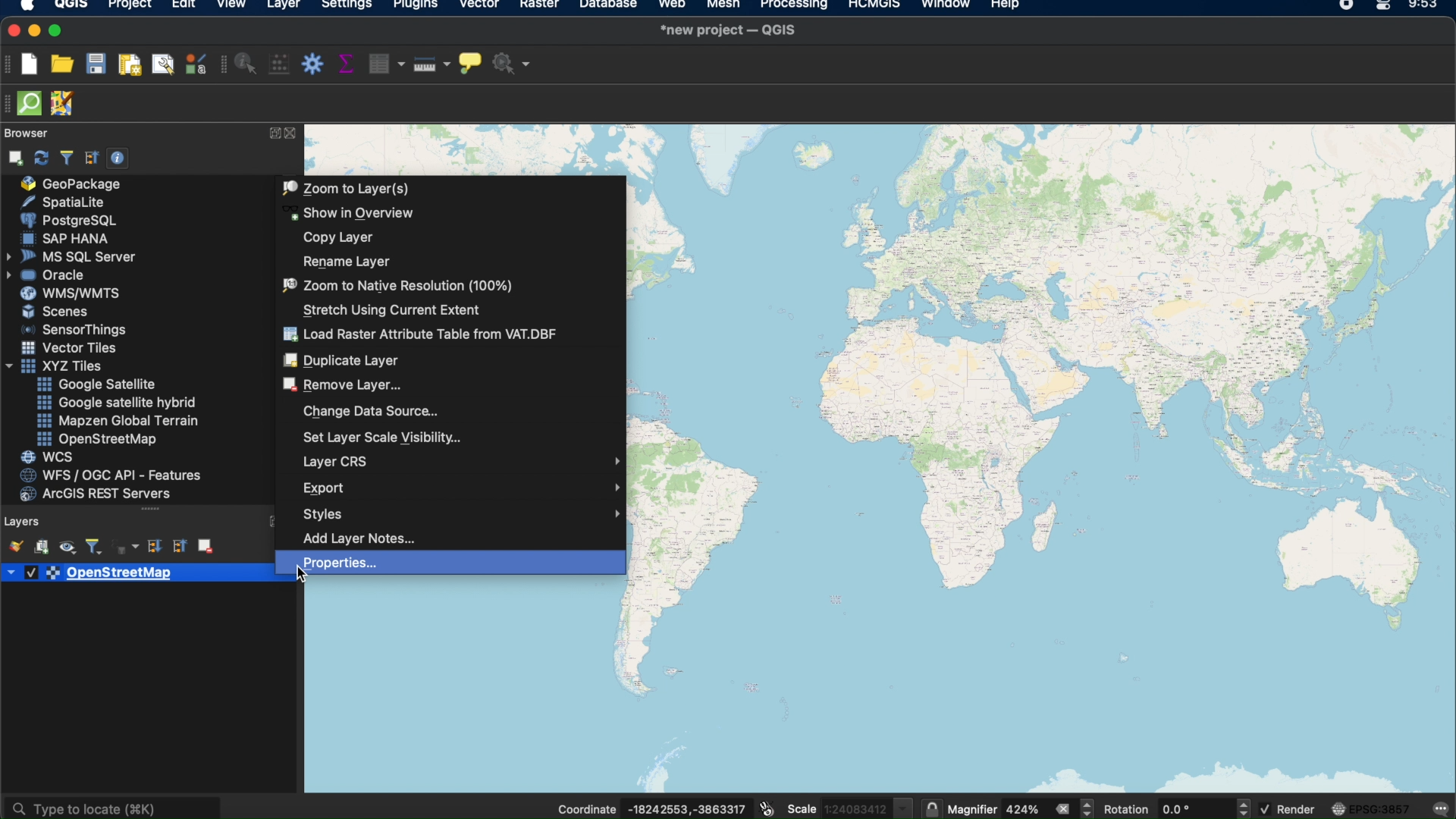 The image size is (1456, 819). Describe the element at coordinates (113, 400) in the screenshot. I see `google hybrid satellite` at that location.